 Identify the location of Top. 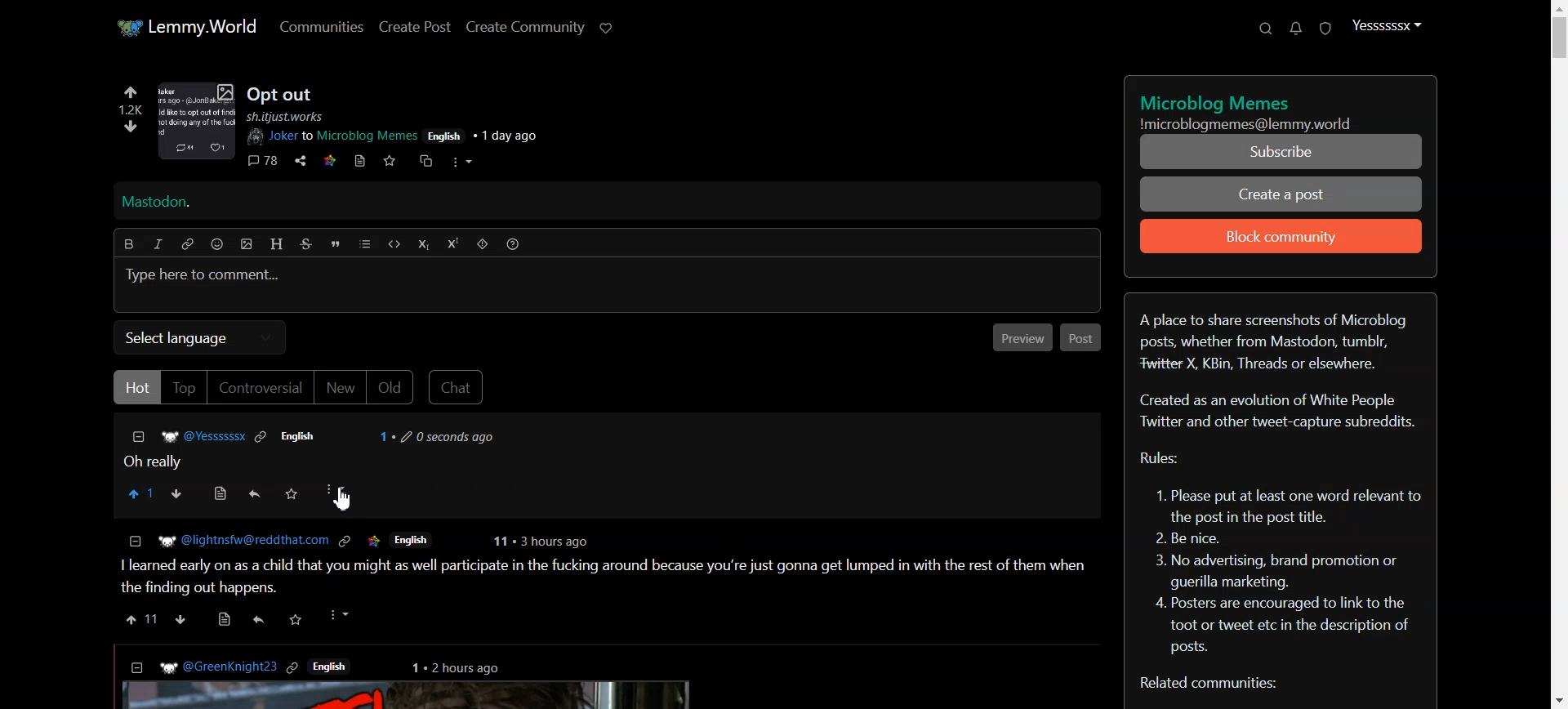
(184, 388).